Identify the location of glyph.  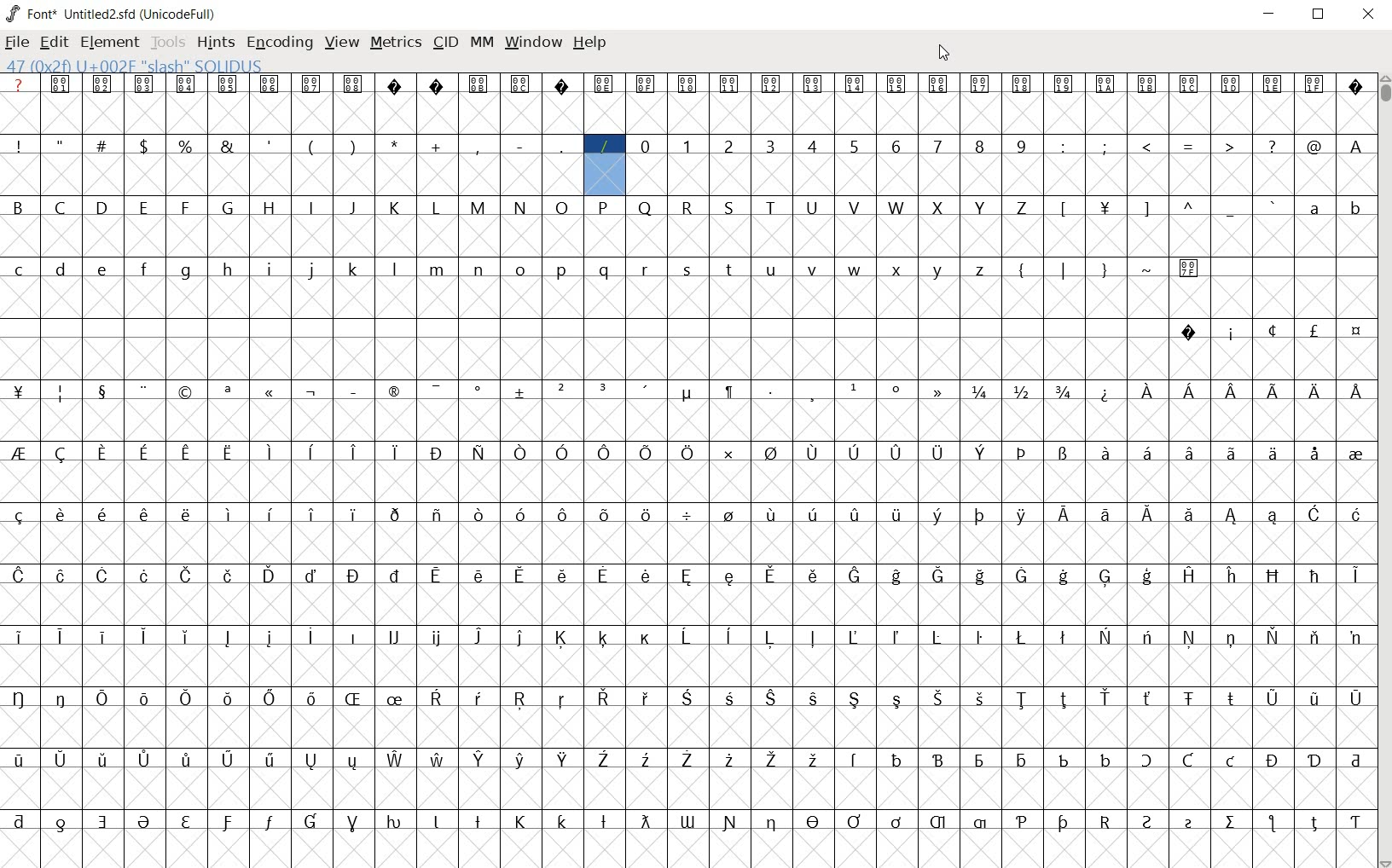
(1105, 271).